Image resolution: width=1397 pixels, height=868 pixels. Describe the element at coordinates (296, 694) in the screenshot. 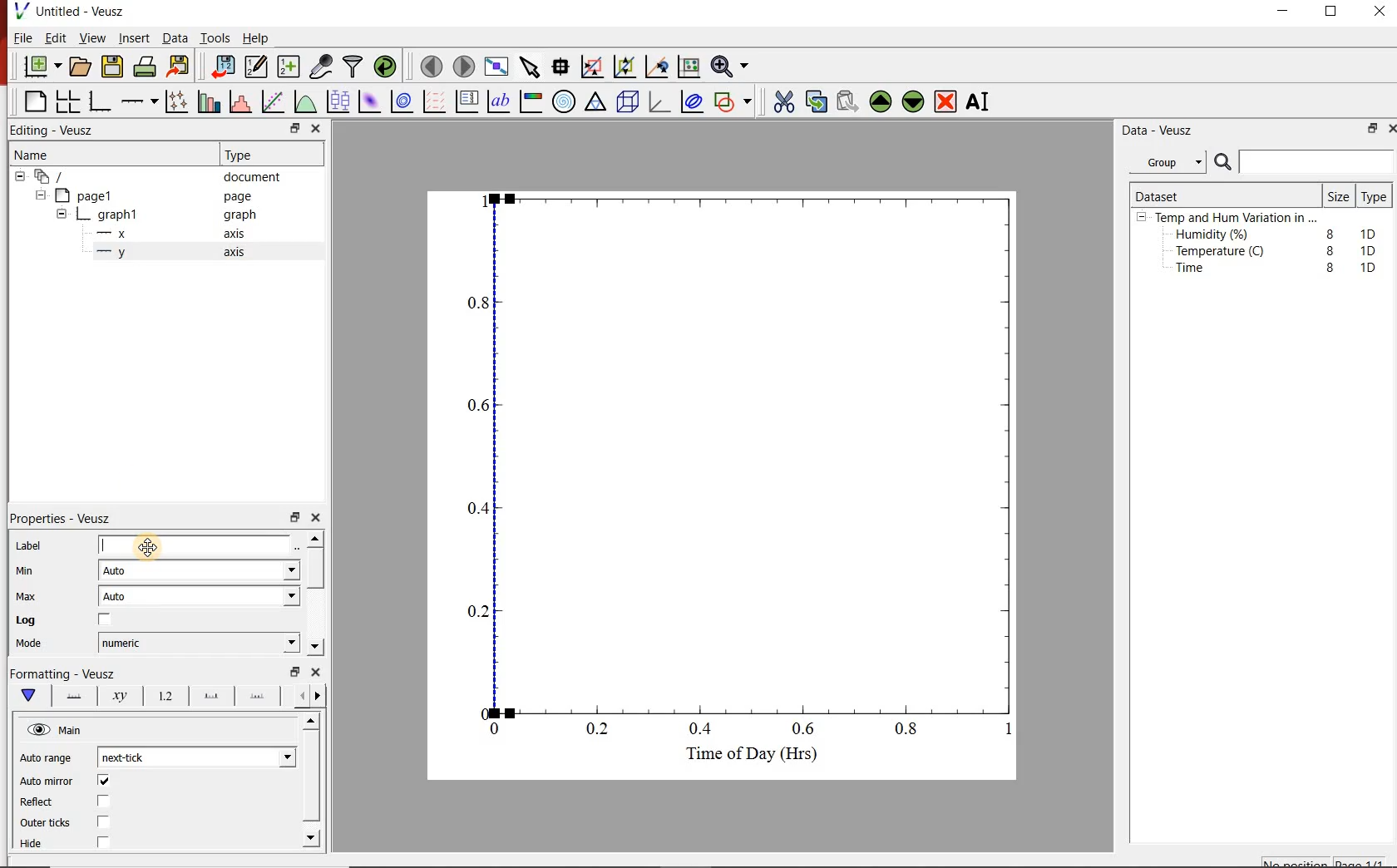

I see `go back` at that location.